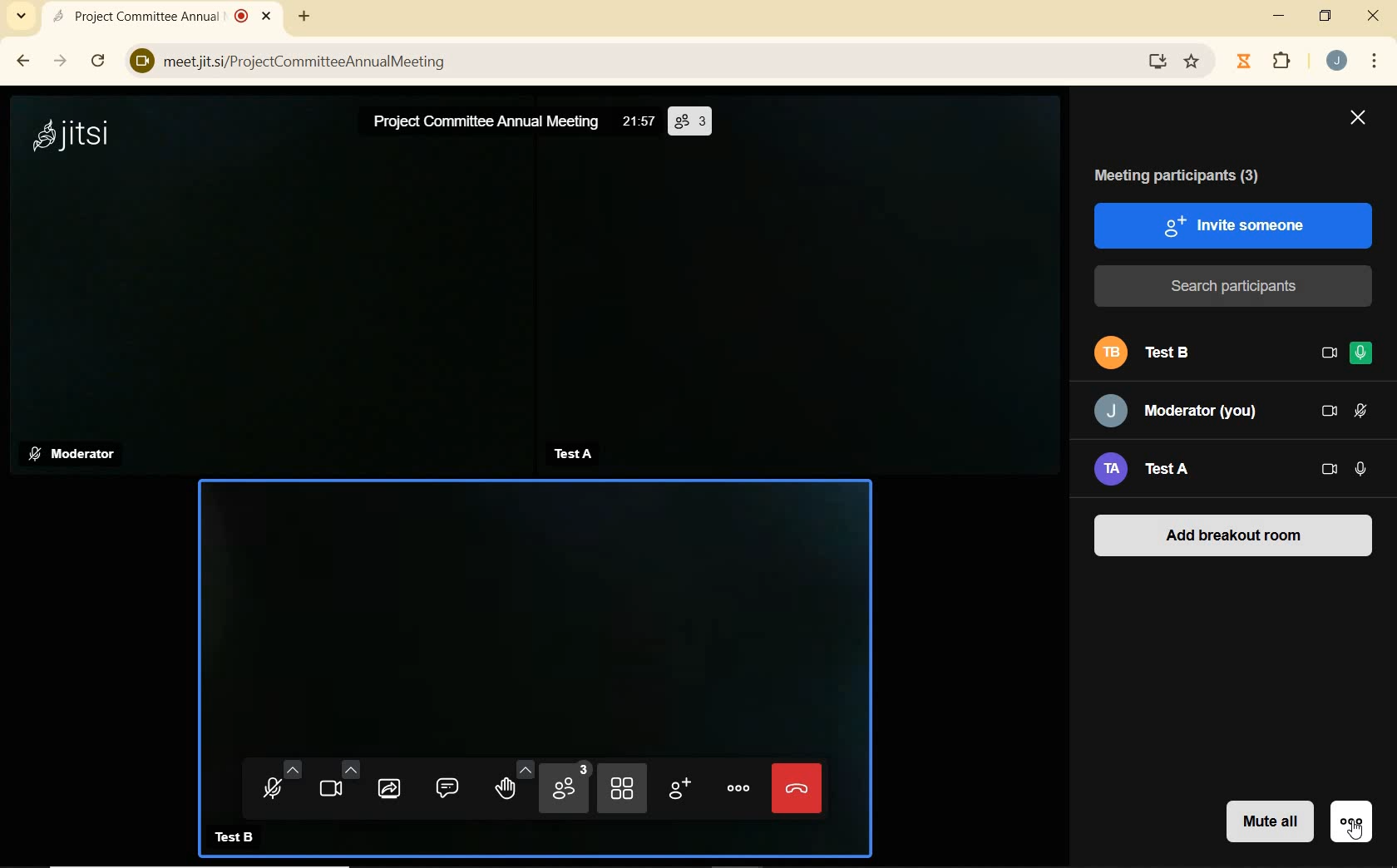  What do you see at coordinates (1360, 355) in the screenshot?
I see `MICROPHONE` at bounding box center [1360, 355].